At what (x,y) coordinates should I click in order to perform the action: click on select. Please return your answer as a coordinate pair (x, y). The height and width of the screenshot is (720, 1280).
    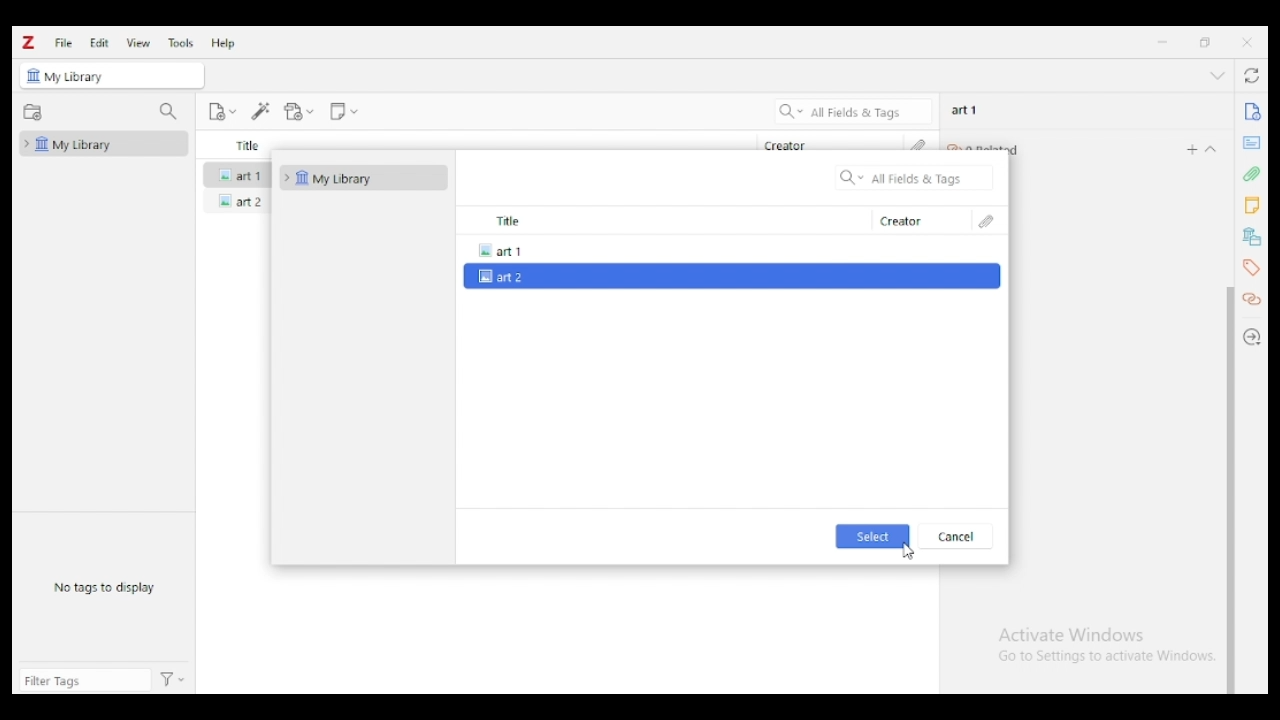
    Looking at the image, I should click on (874, 536).